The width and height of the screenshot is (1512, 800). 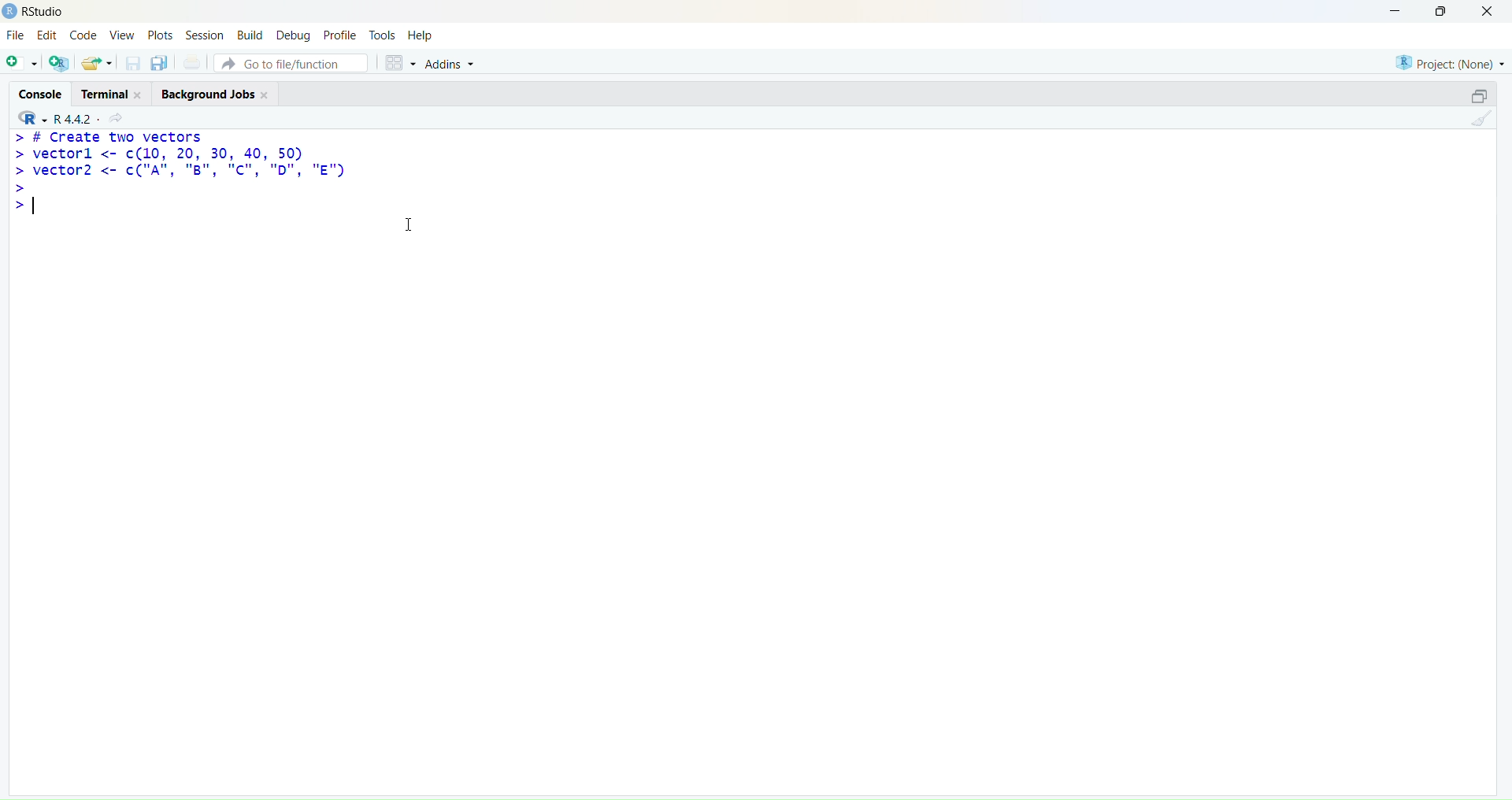 I want to click on Code, so click(x=84, y=34).